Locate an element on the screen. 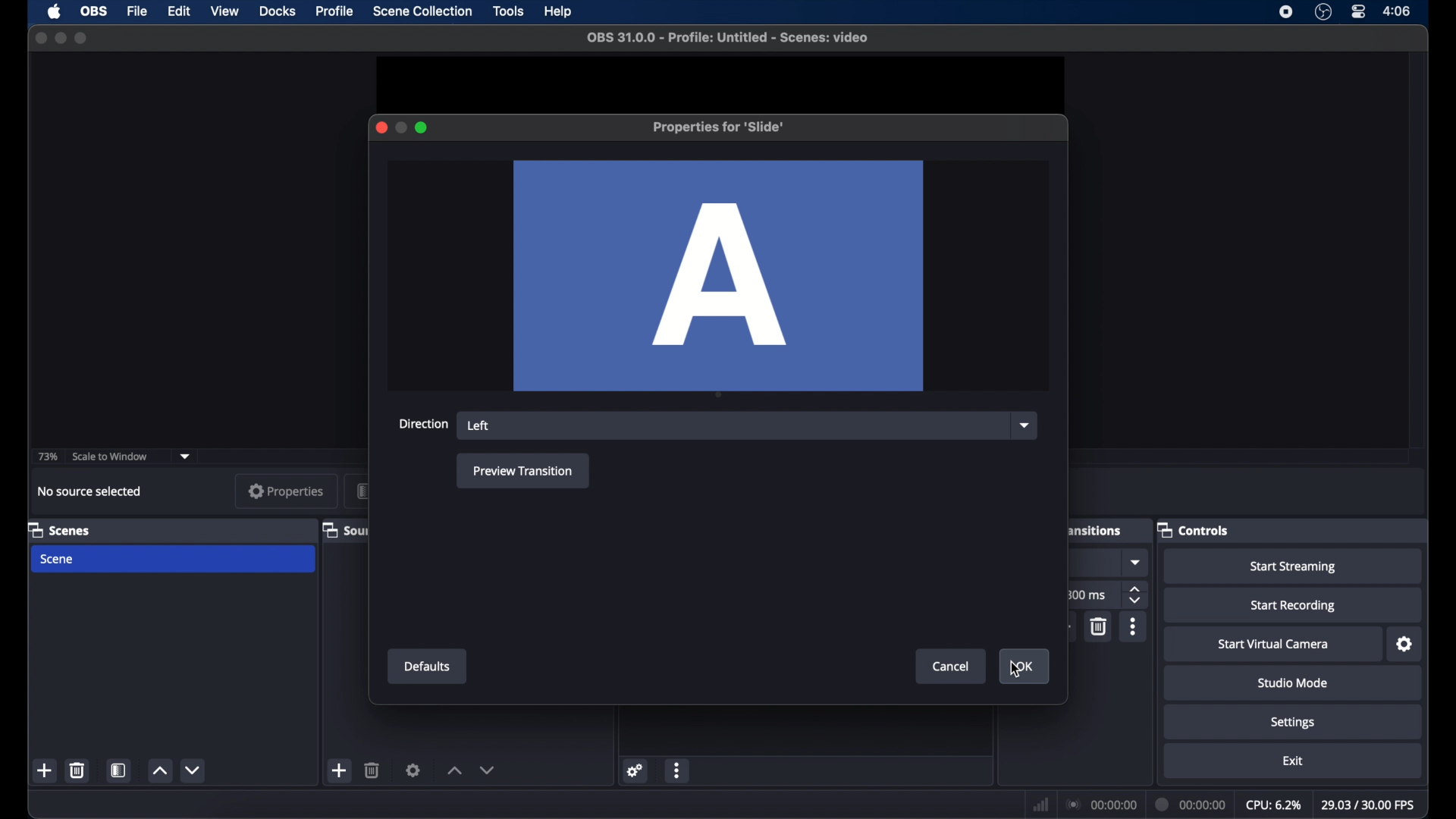 The width and height of the screenshot is (1456, 819). edit is located at coordinates (178, 11).